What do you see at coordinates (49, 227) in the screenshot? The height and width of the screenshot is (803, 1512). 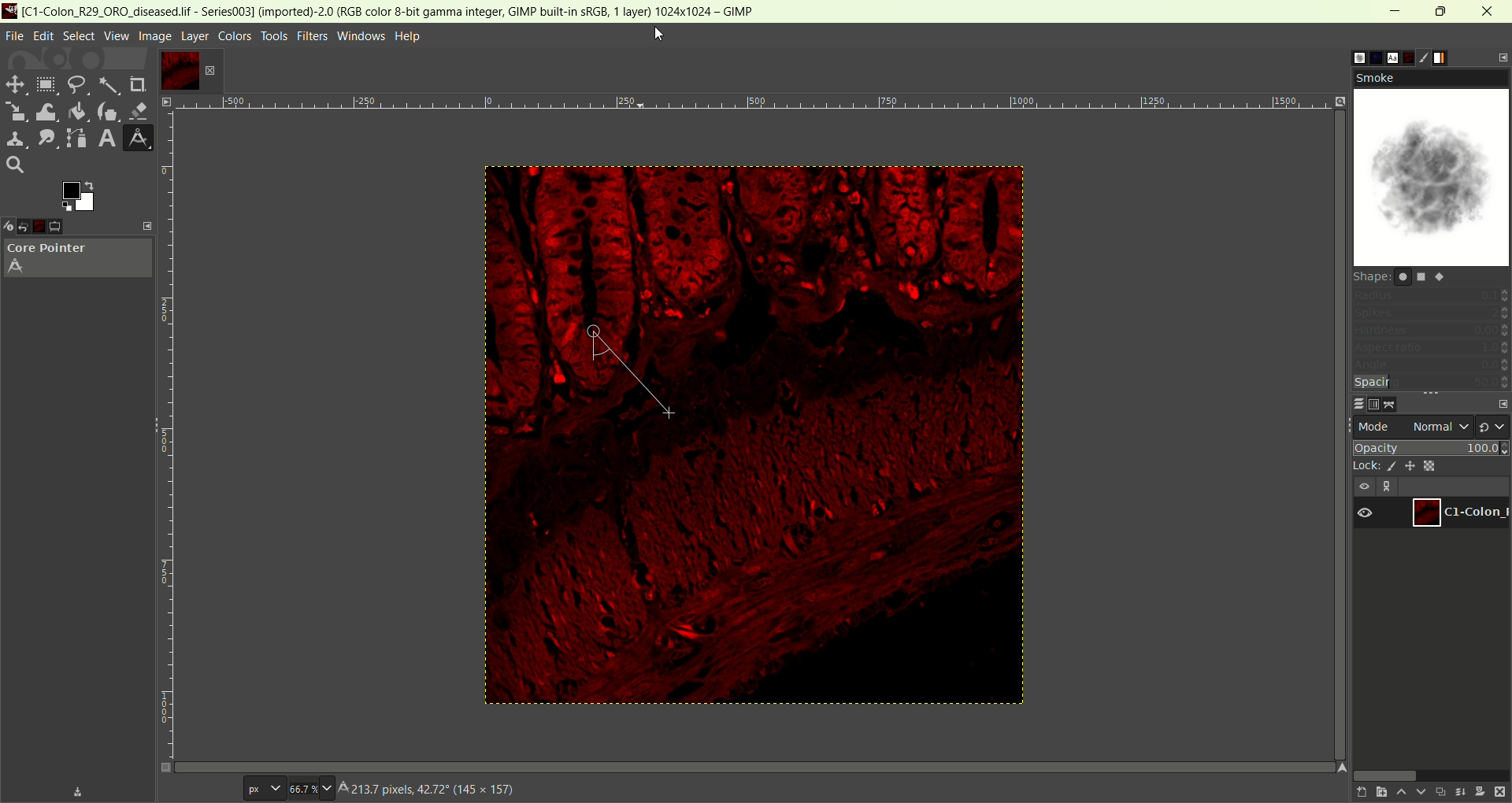 I see `images` at bounding box center [49, 227].